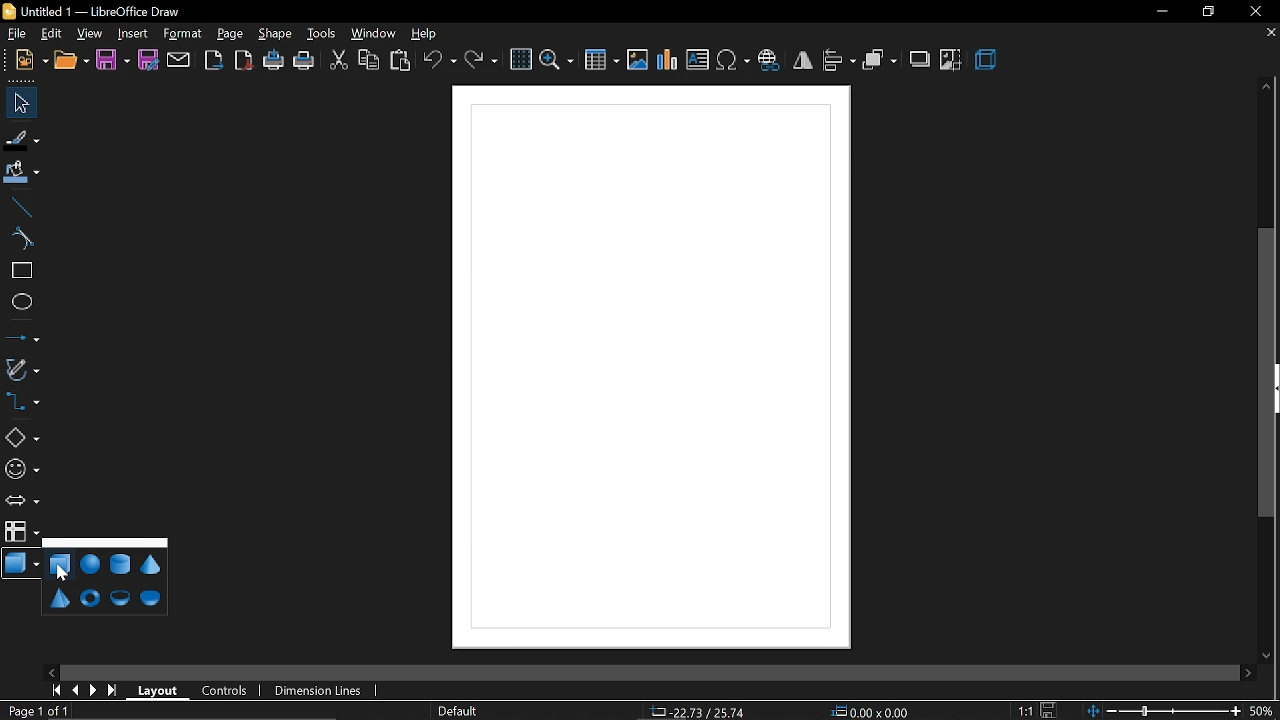 The width and height of the screenshot is (1280, 720). What do you see at coordinates (22, 567) in the screenshot?
I see `3d shapes` at bounding box center [22, 567].